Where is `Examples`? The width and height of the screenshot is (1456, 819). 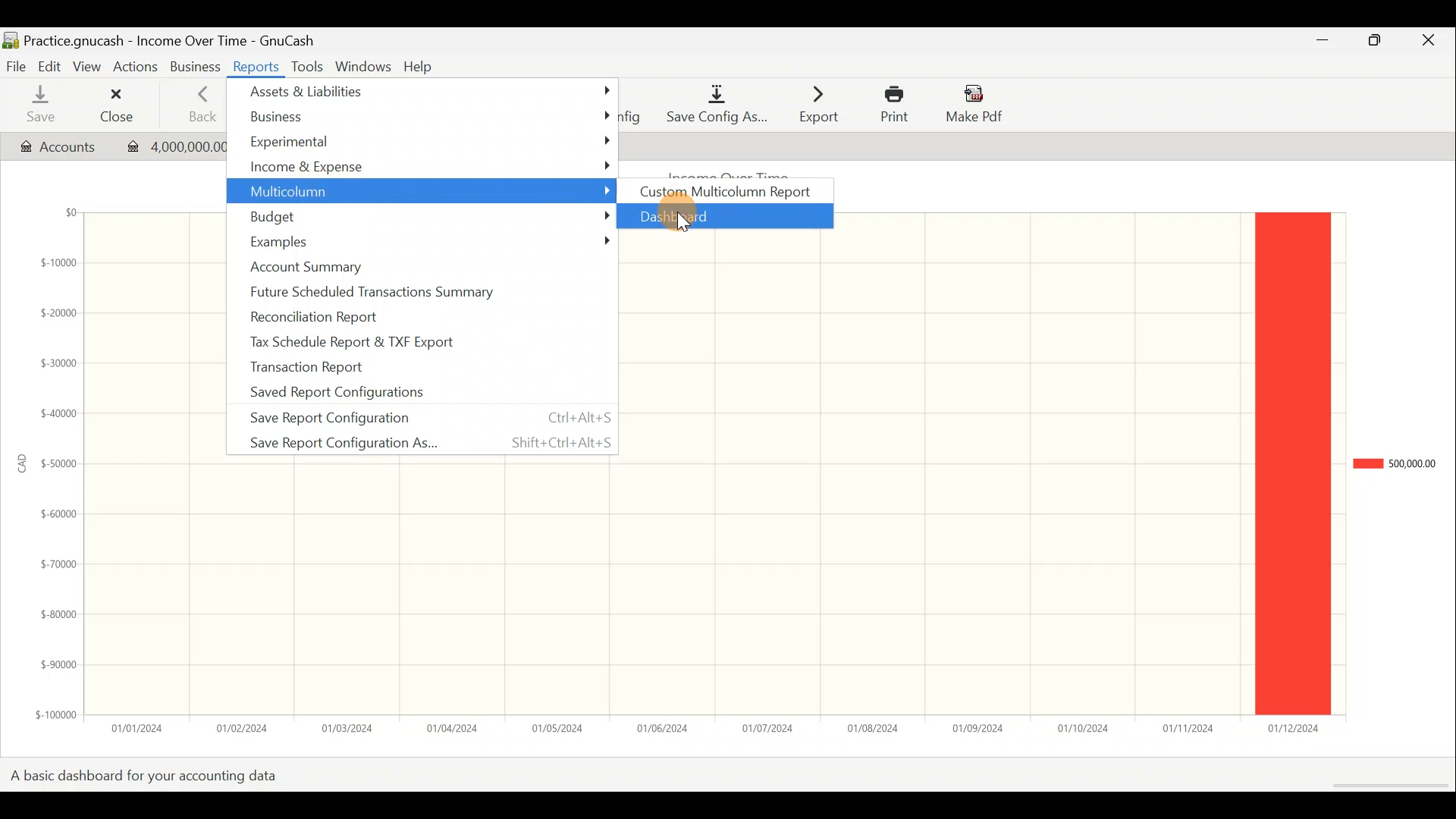
Examples is located at coordinates (424, 241).